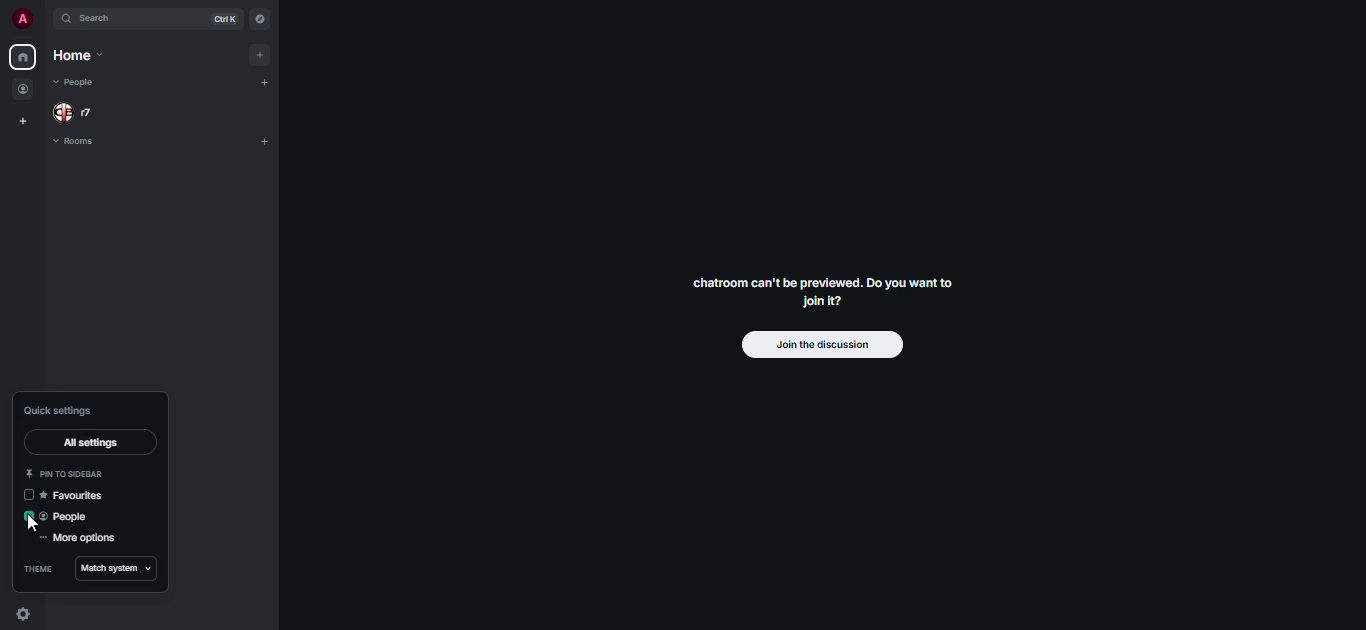 The image size is (1366, 630). What do you see at coordinates (88, 442) in the screenshot?
I see `all settings` at bounding box center [88, 442].